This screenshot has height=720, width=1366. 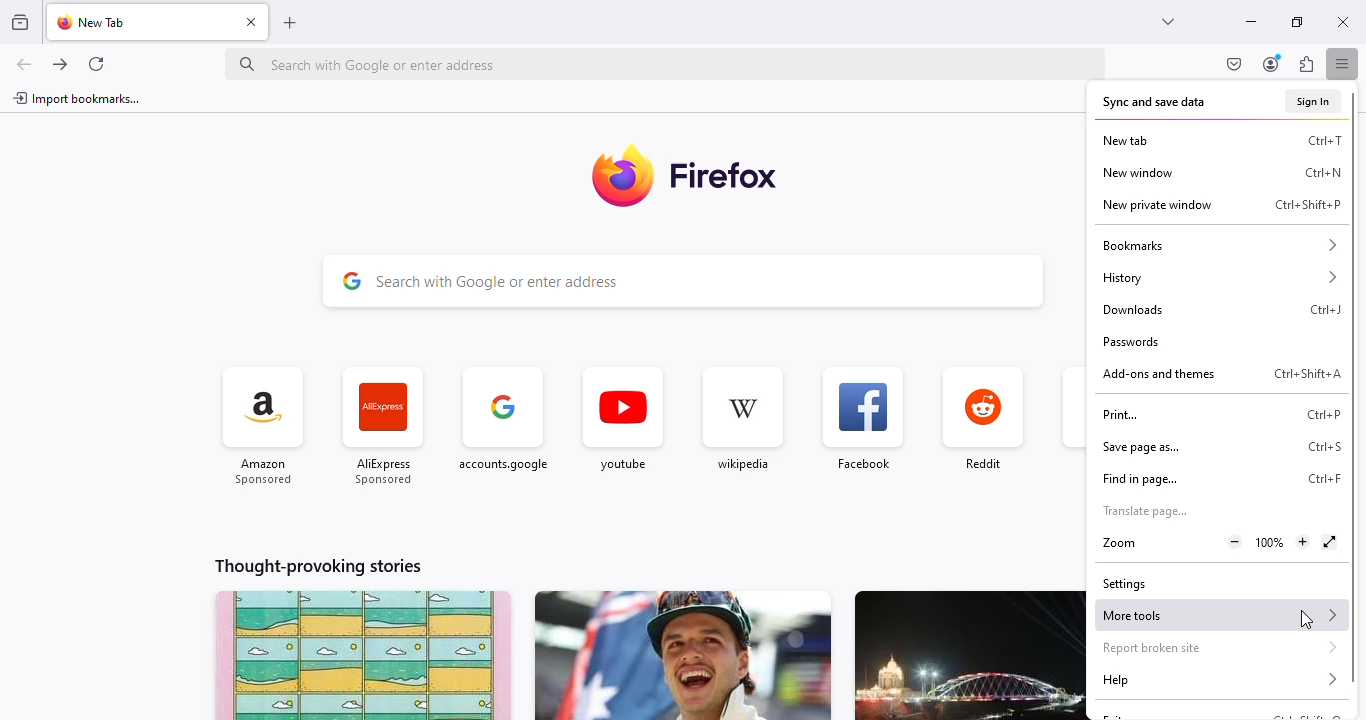 What do you see at coordinates (1344, 22) in the screenshot?
I see `close` at bounding box center [1344, 22].